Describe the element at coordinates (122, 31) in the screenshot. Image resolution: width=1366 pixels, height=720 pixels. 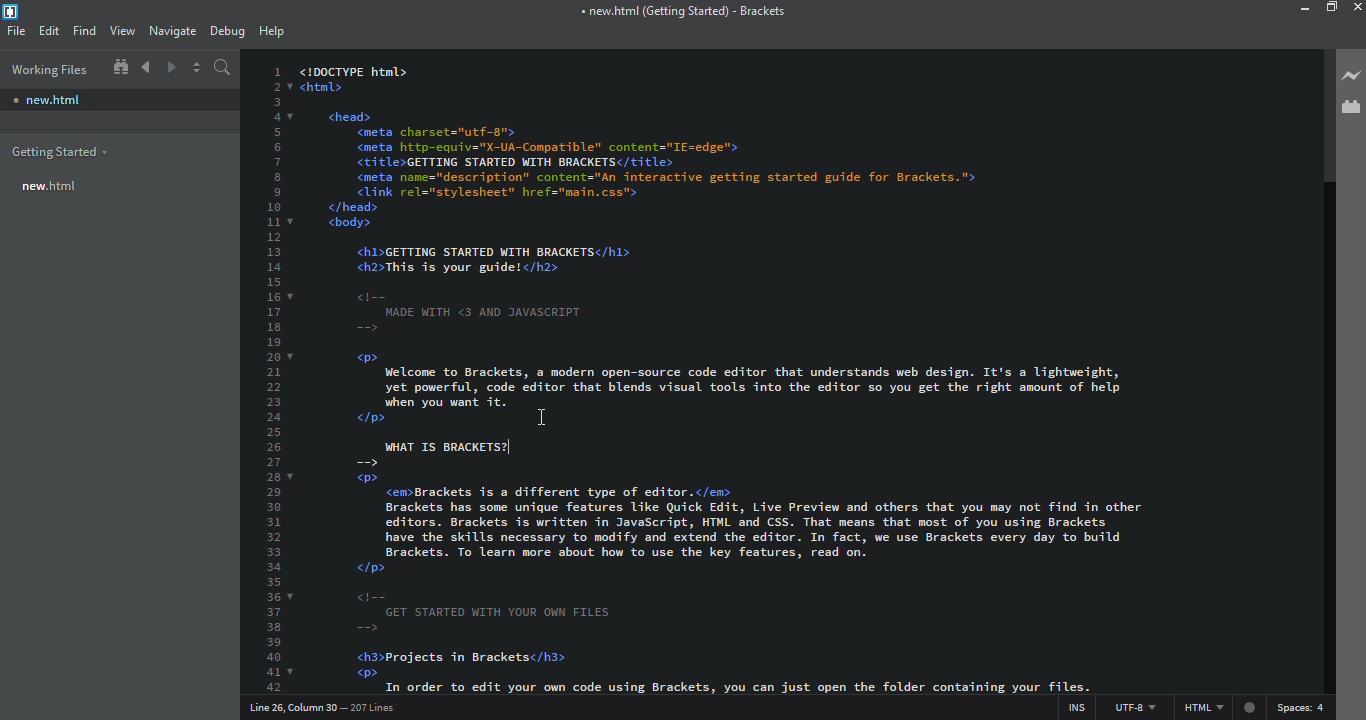
I see `view` at that location.